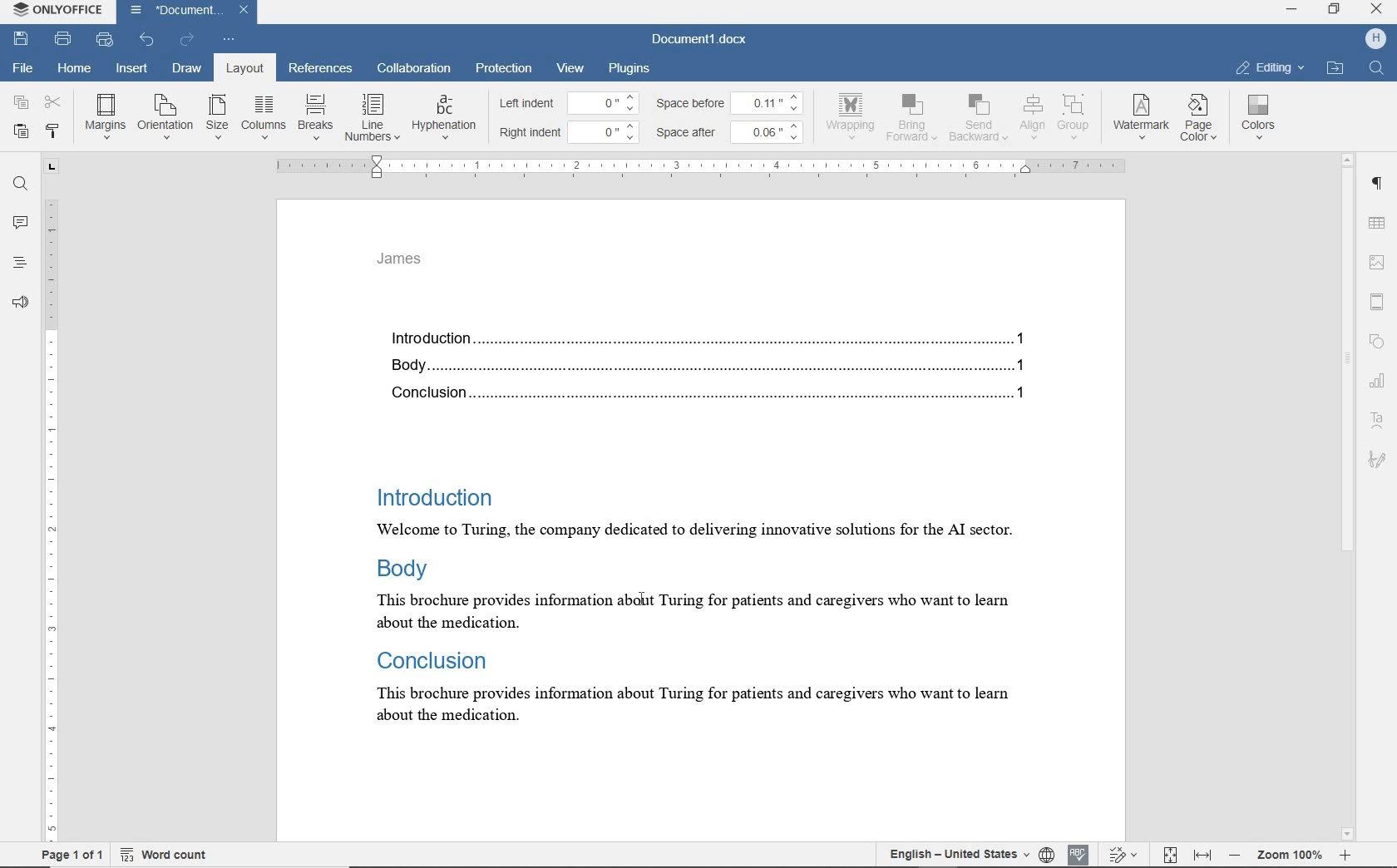 The image size is (1397, 868). What do you see at coordinates (705, 305) in the screenshot?
I see `TOP MARGIN INCREASED BY 1.3 INCHES` at bounding box center [705, 305].